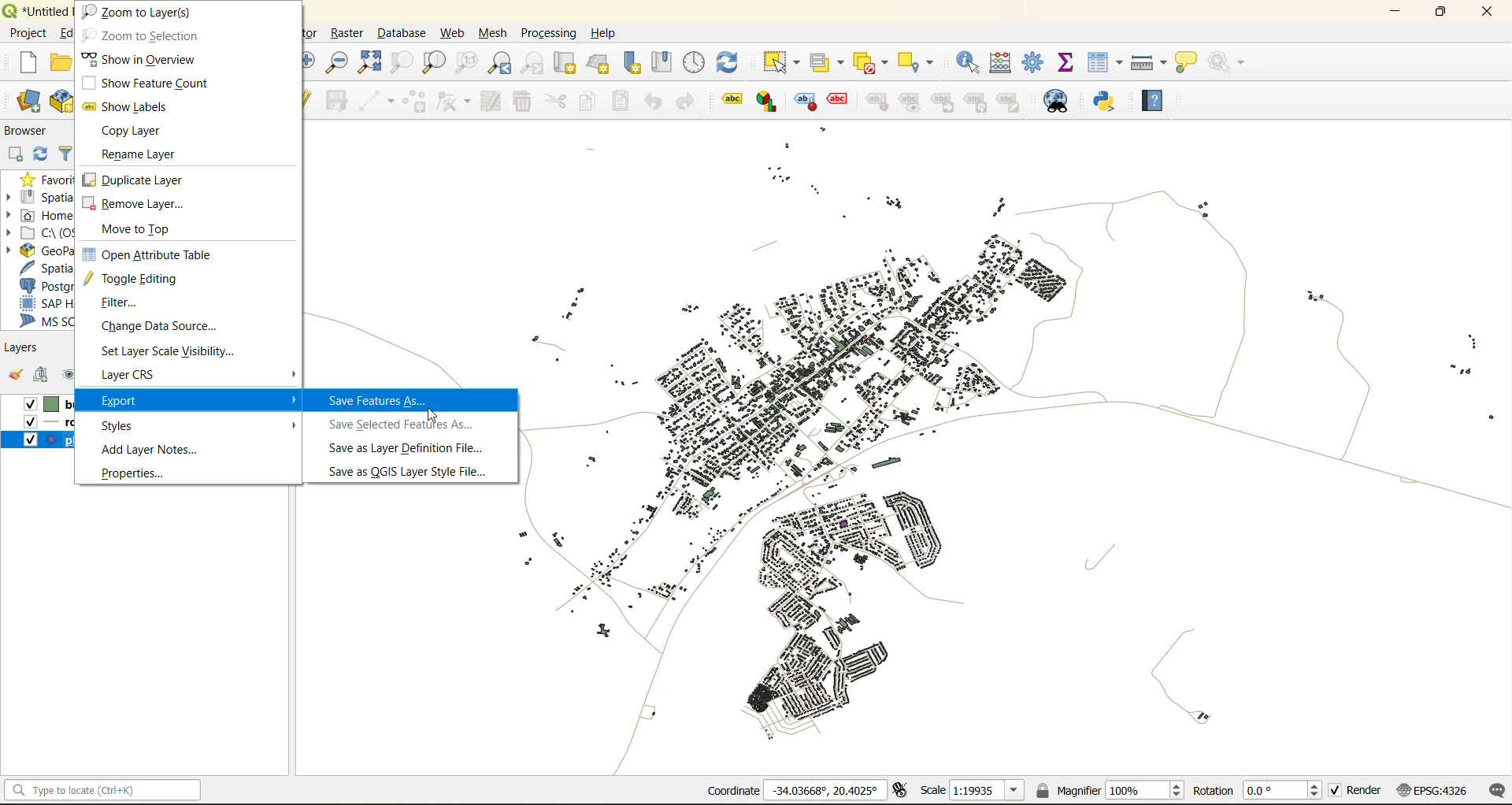 The height and width of the screenshot is (805, 1512). What do you see at coordinates (784, 62) in the screenshot?
I see `select` at bounding box center [784, 62].